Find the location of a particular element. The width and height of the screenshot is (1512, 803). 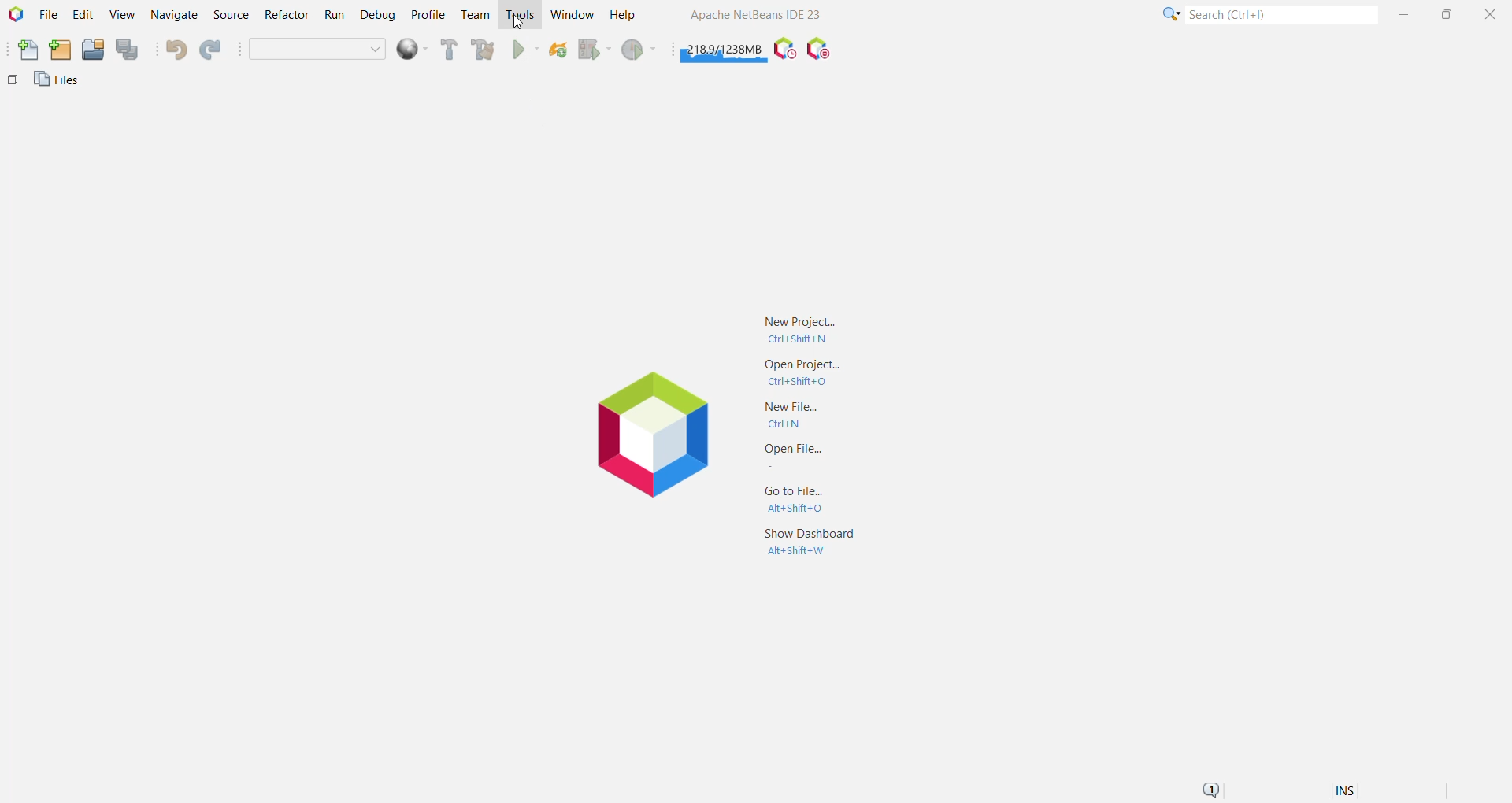

Pause IDE profiling and take a Snapshot is located at coordinates (785, 50).